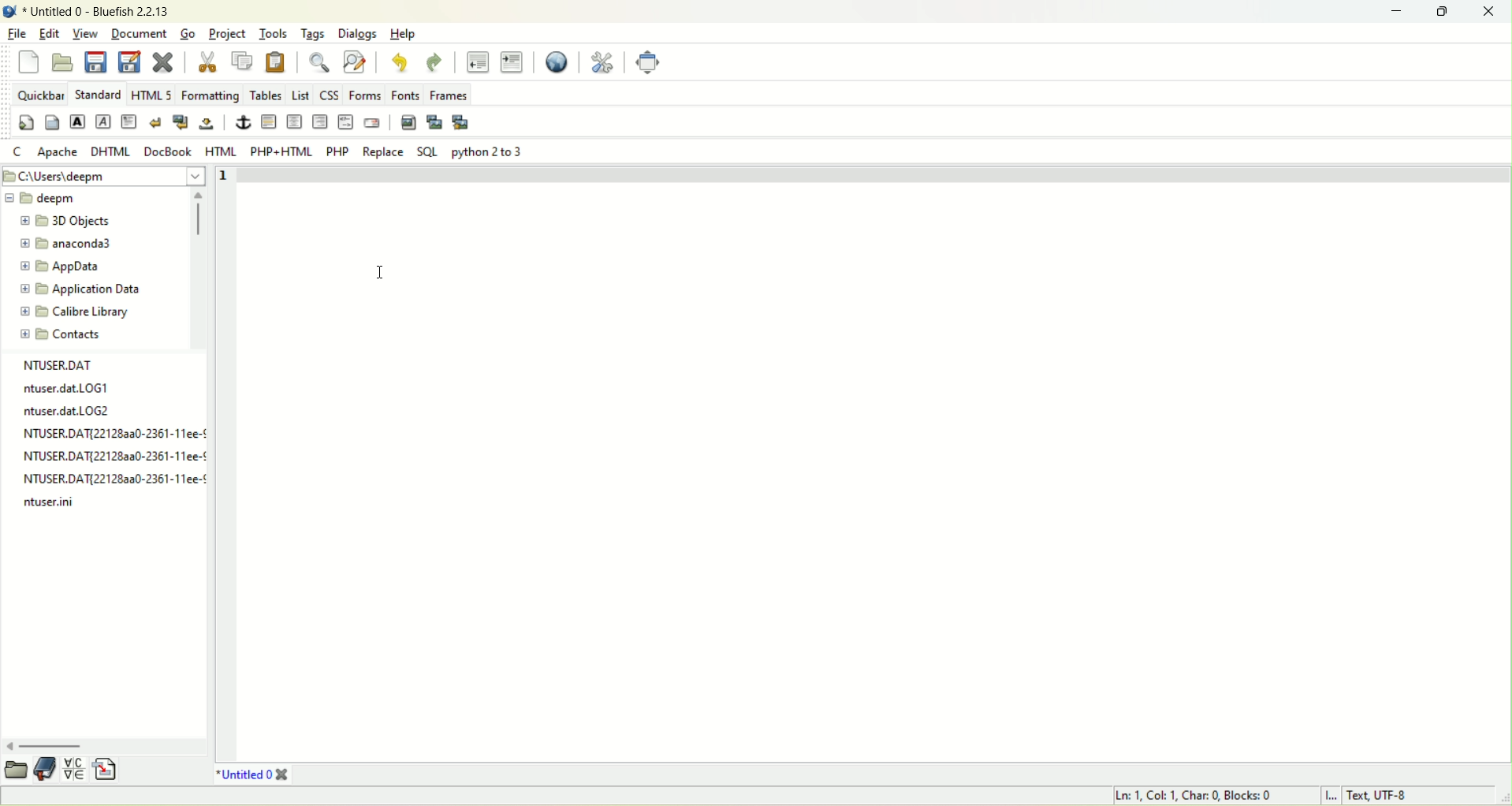 The height and width of the screenshot is (806, 1512). I want to click on NTUSER.DAT{221283a0-2361-11ee-, so click(107, 455).